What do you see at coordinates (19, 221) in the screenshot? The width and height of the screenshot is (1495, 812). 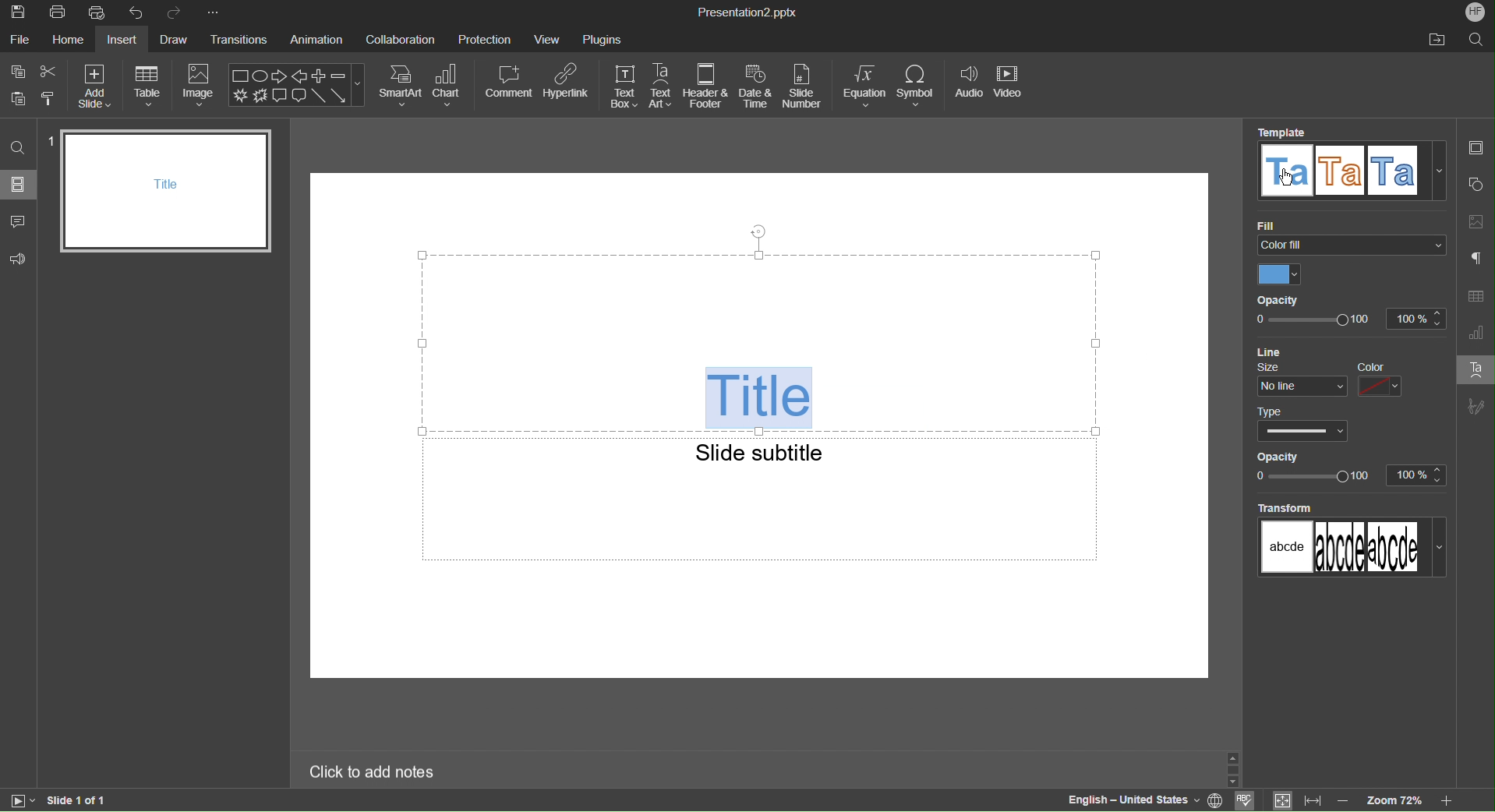 I see `Comment` at bounding box center [19, 221].